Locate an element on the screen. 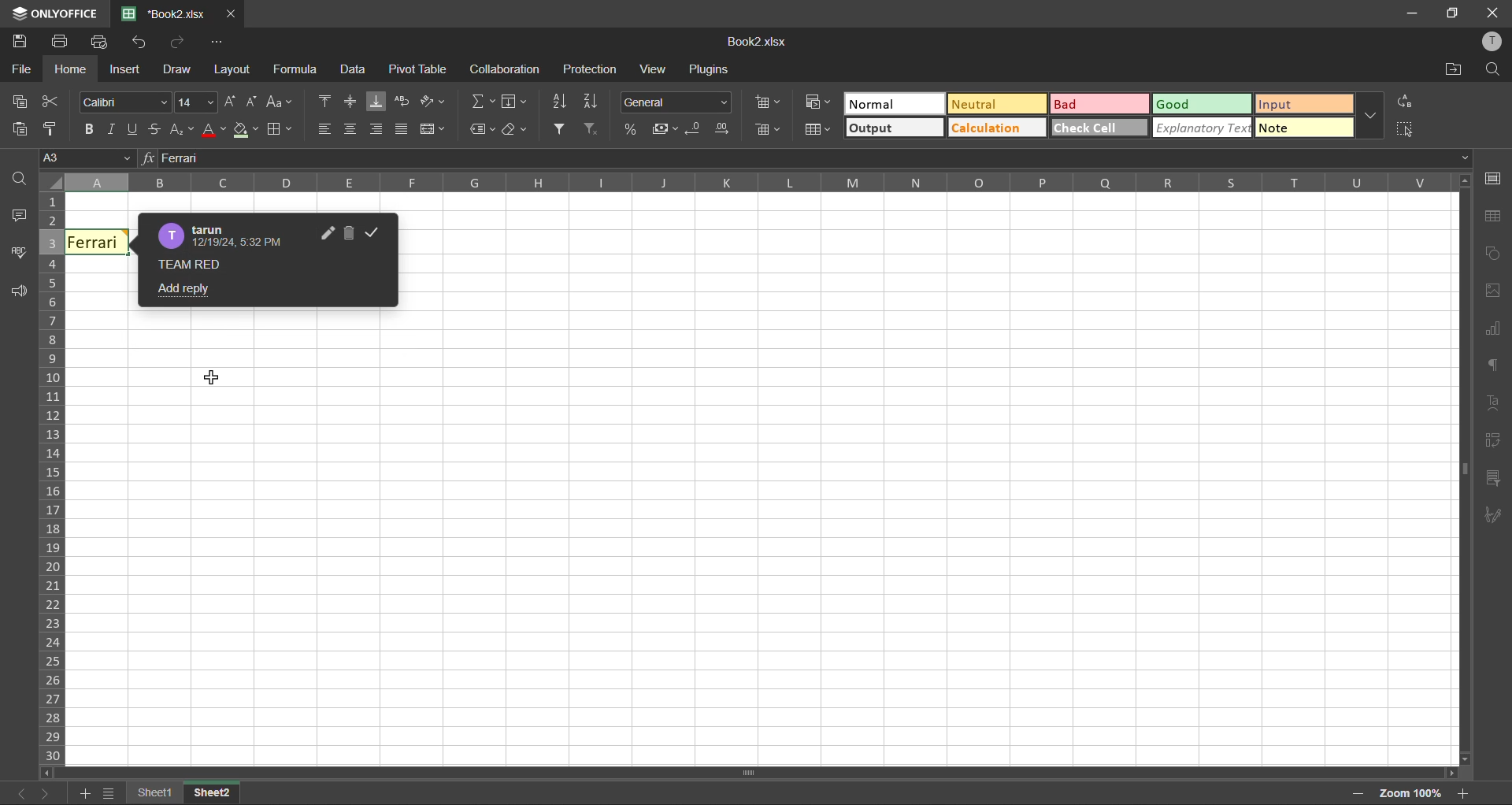  sub/superscript is located at coordinates (183, 131).